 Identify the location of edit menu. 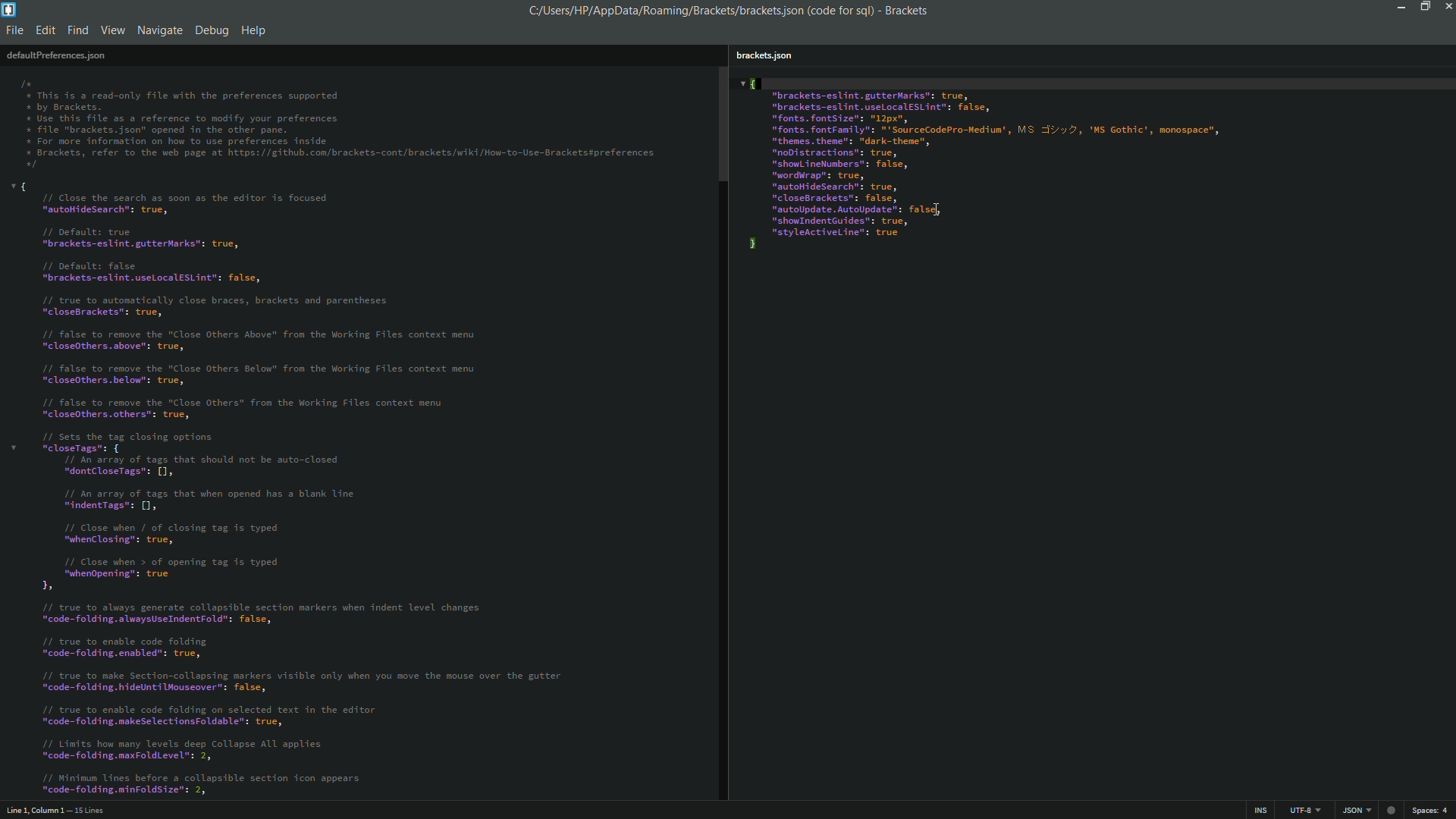
(45, 30).